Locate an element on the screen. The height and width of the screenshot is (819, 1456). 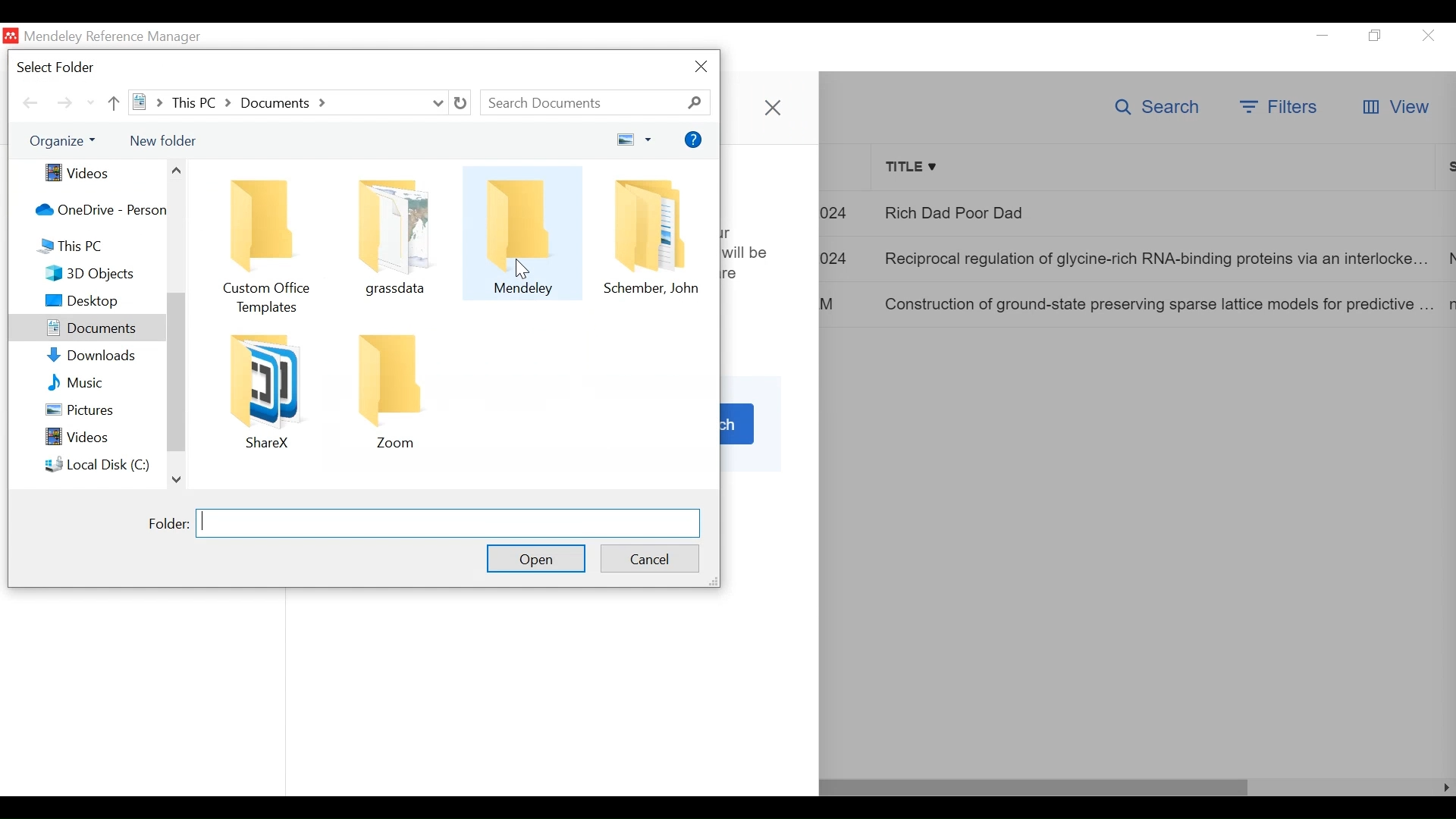
Rich Dad Poor Dad is located at coordinates (1042, 215).